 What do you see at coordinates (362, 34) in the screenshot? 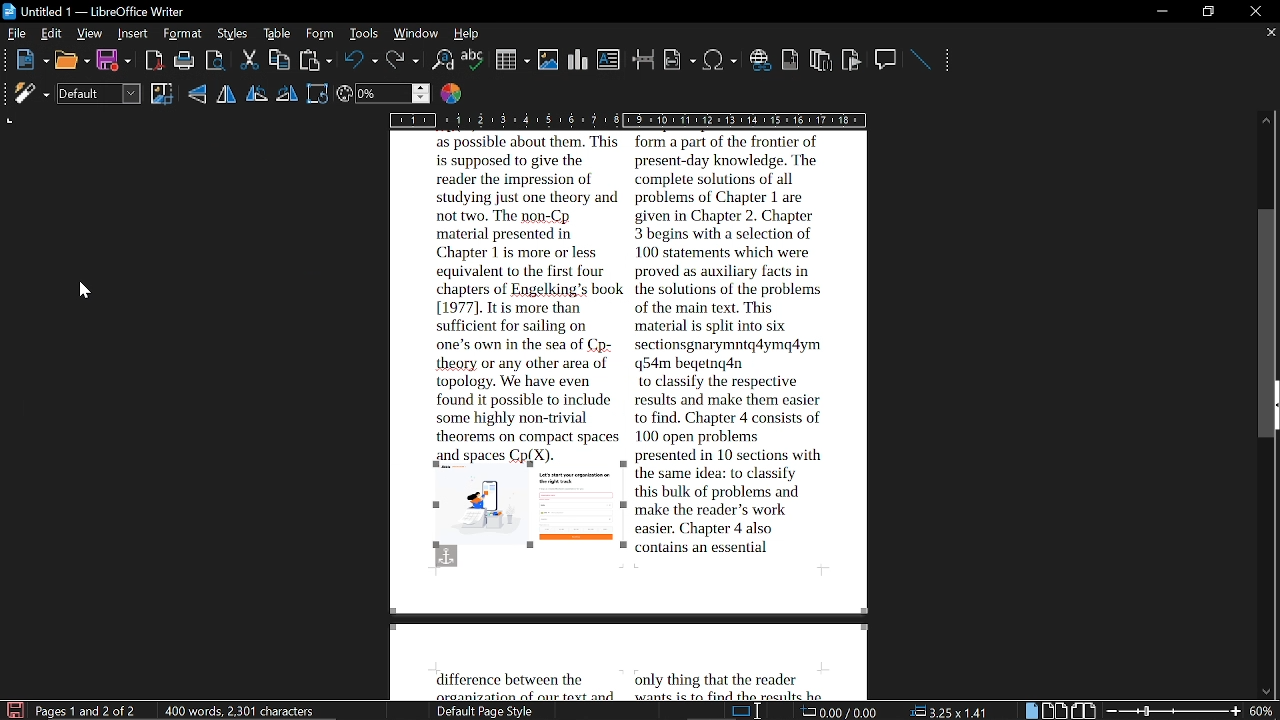
I see `tools` at bounding box center [362, 34].